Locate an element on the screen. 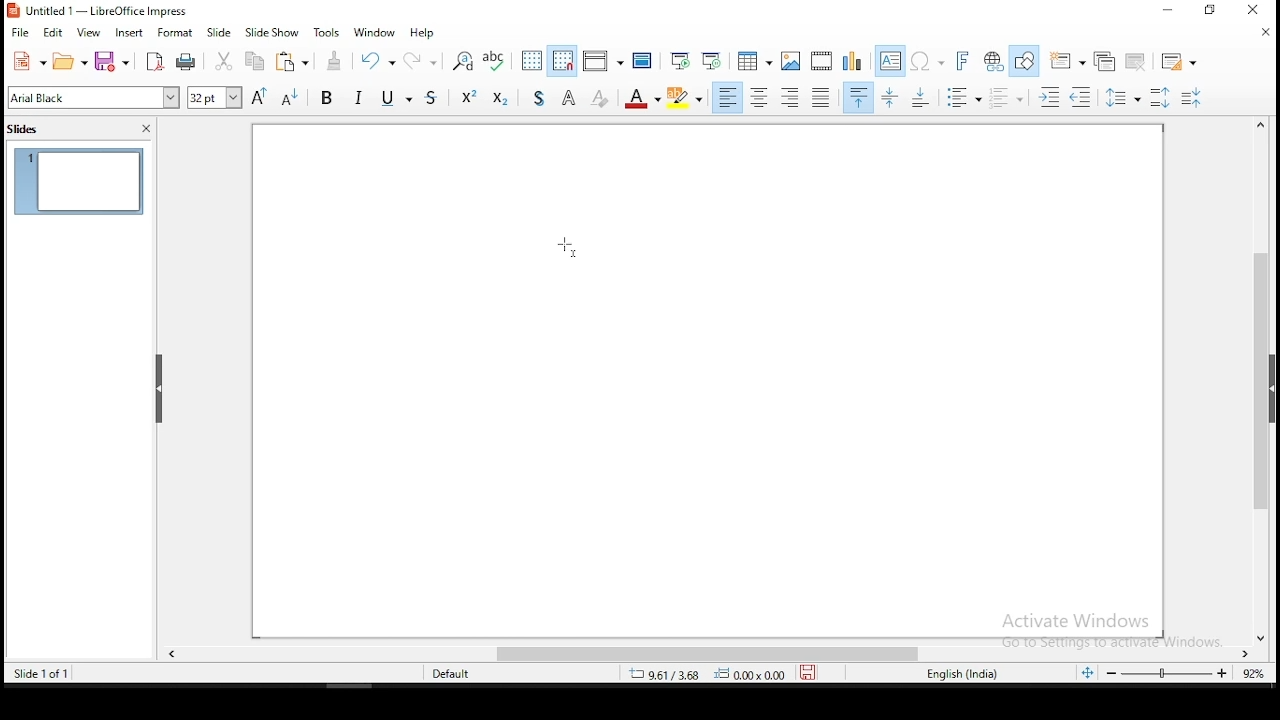  Superscript is located at coordinates (468, 95).